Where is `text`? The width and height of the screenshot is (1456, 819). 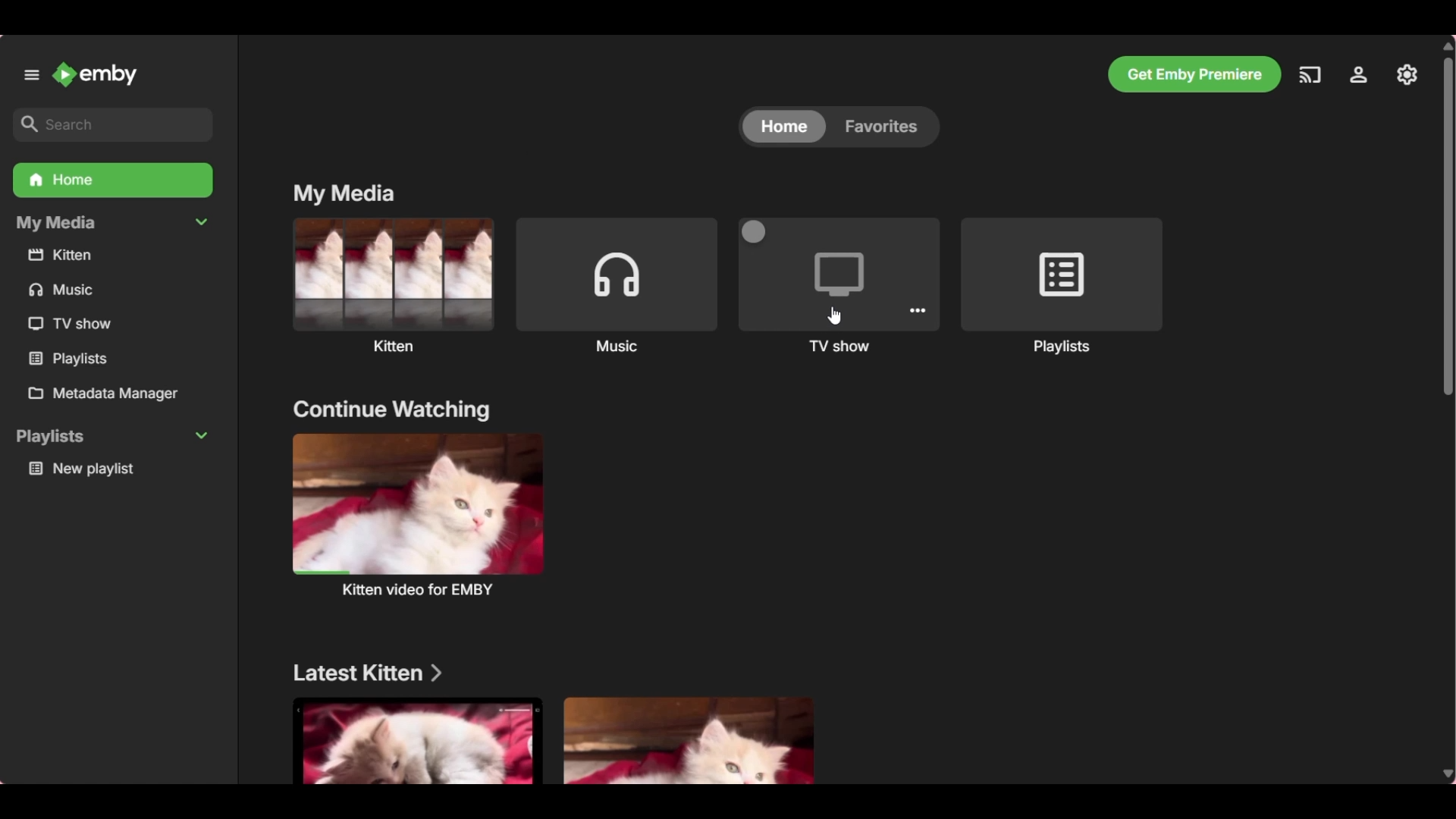
text is located at coordinates (1062, 347).